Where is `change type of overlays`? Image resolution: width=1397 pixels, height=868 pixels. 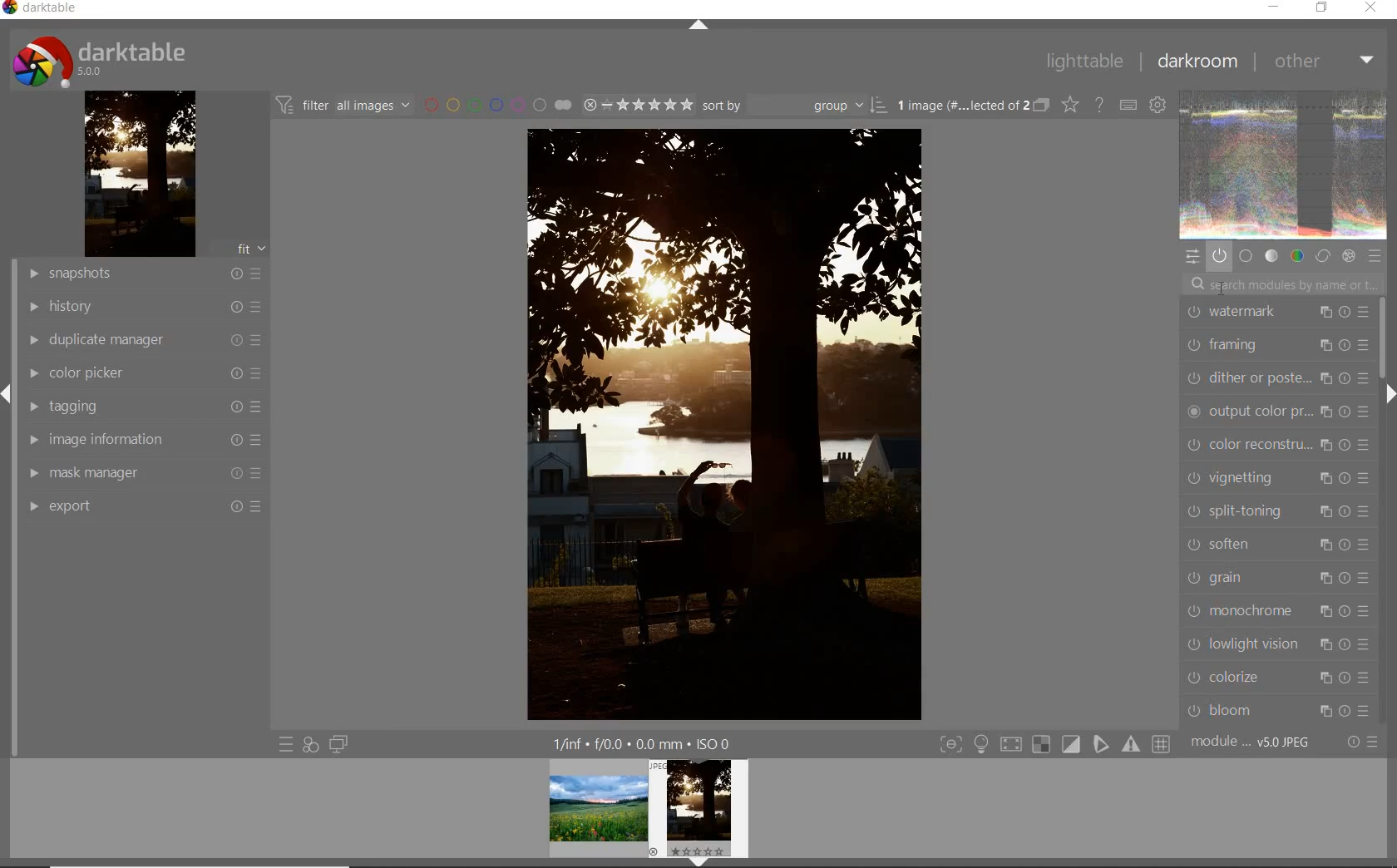 change type of overlays is located at coordinates (1071, 104).